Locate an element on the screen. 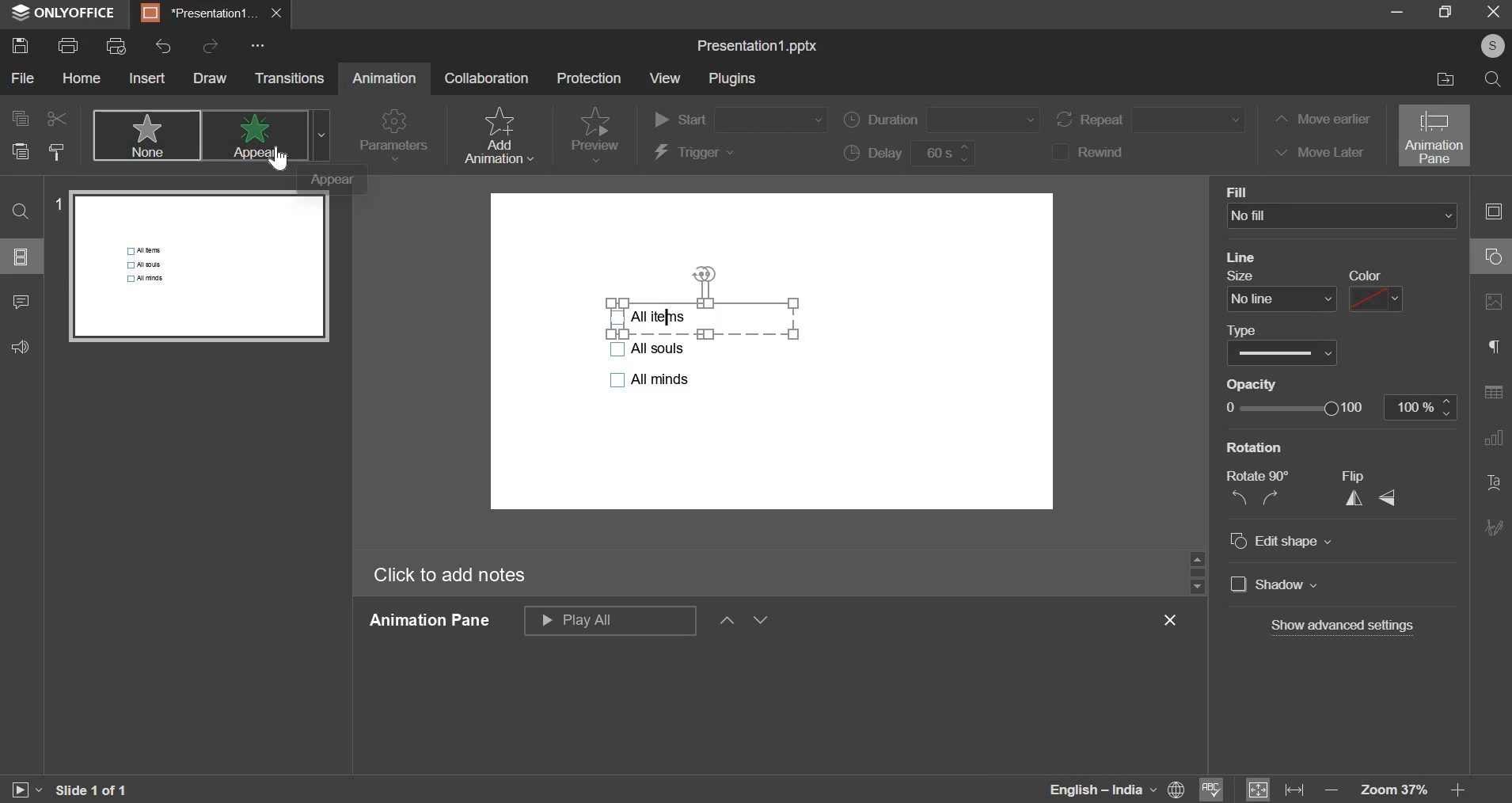  animation pane is located at coordinates (1435, 135).